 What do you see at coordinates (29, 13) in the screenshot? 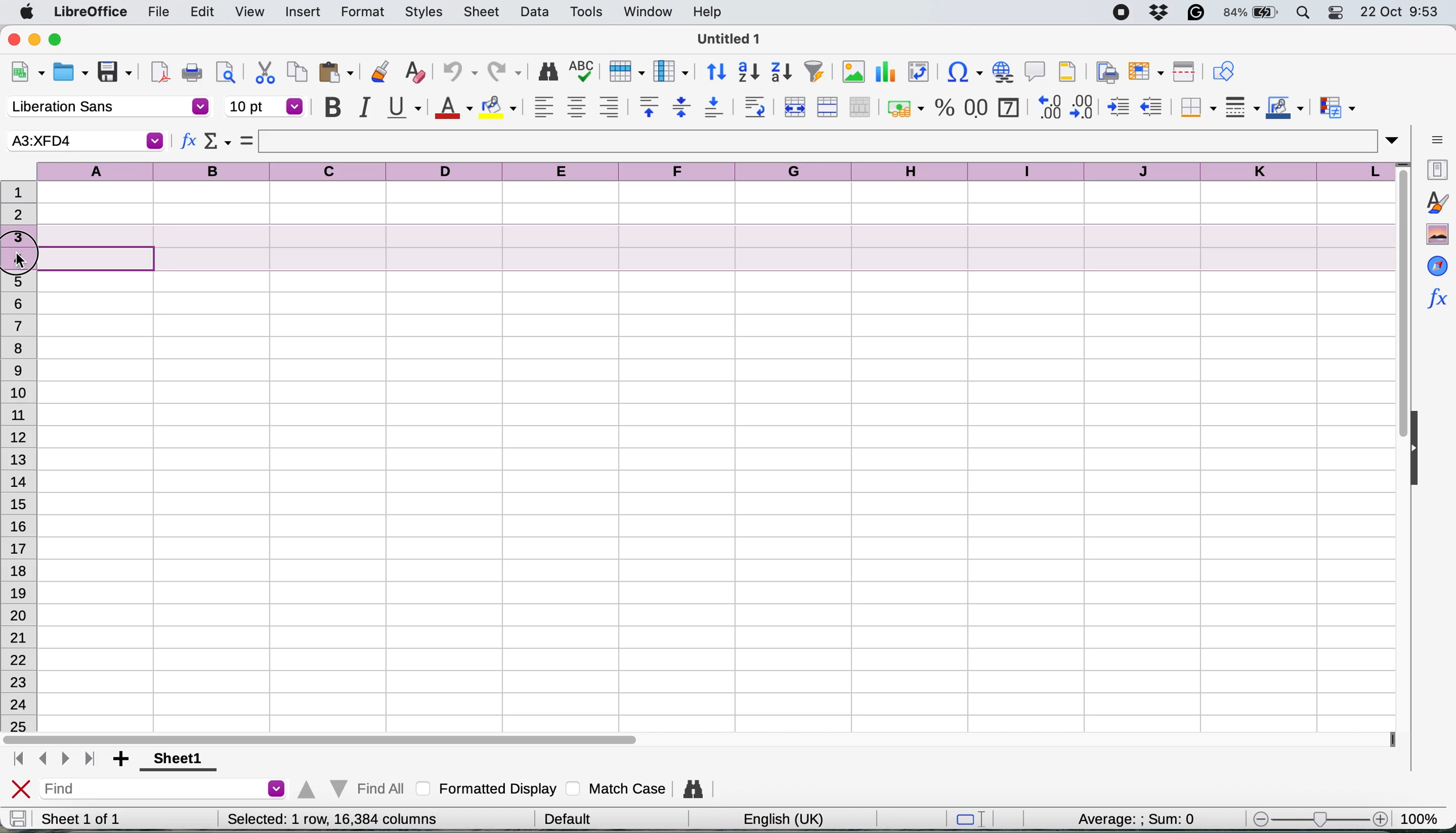
I see `system logo` at bounding box center [29, 13].